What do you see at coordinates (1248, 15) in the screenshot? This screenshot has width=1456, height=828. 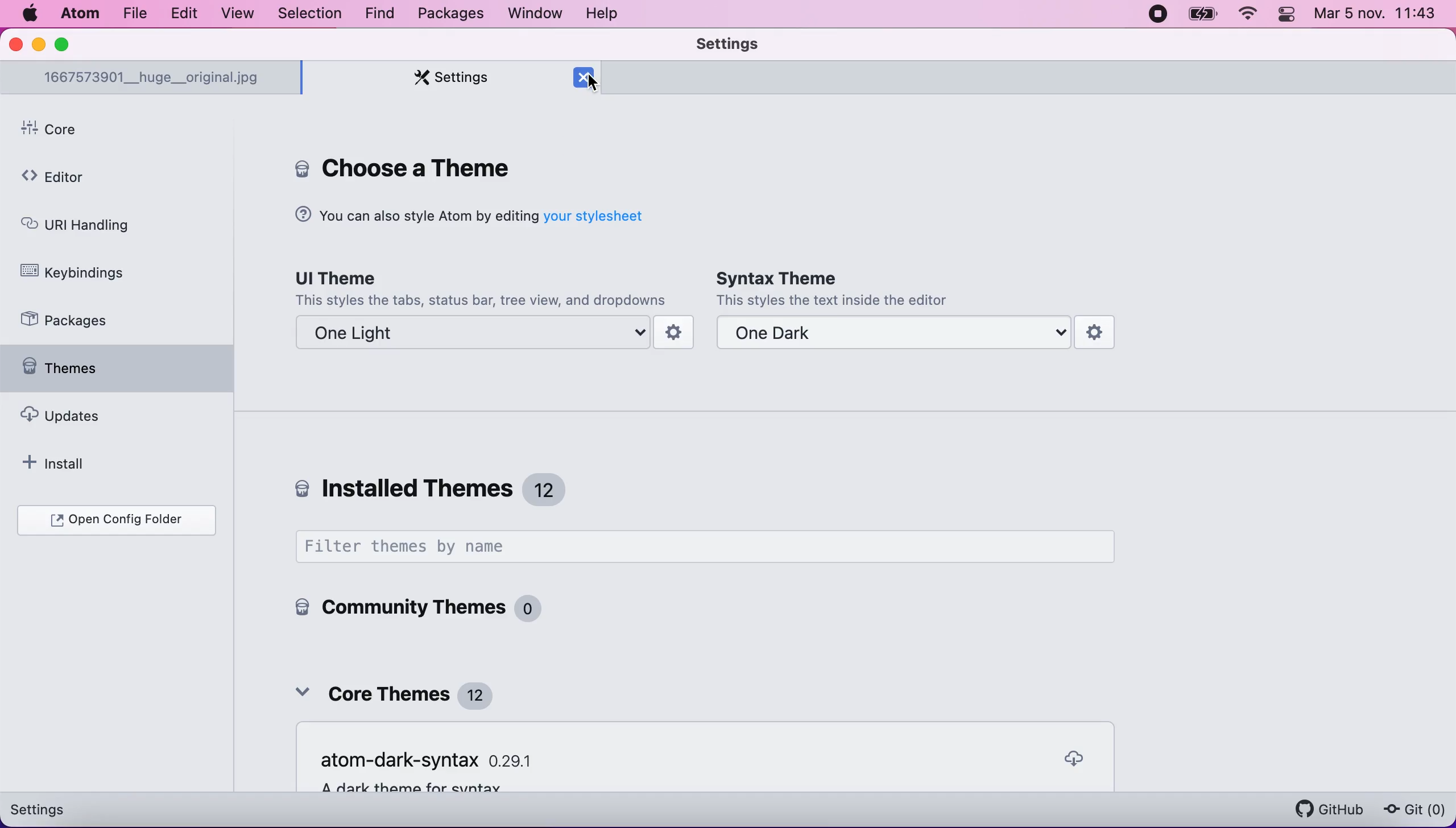 I see `wifi` at bounding box center [1248, 15].